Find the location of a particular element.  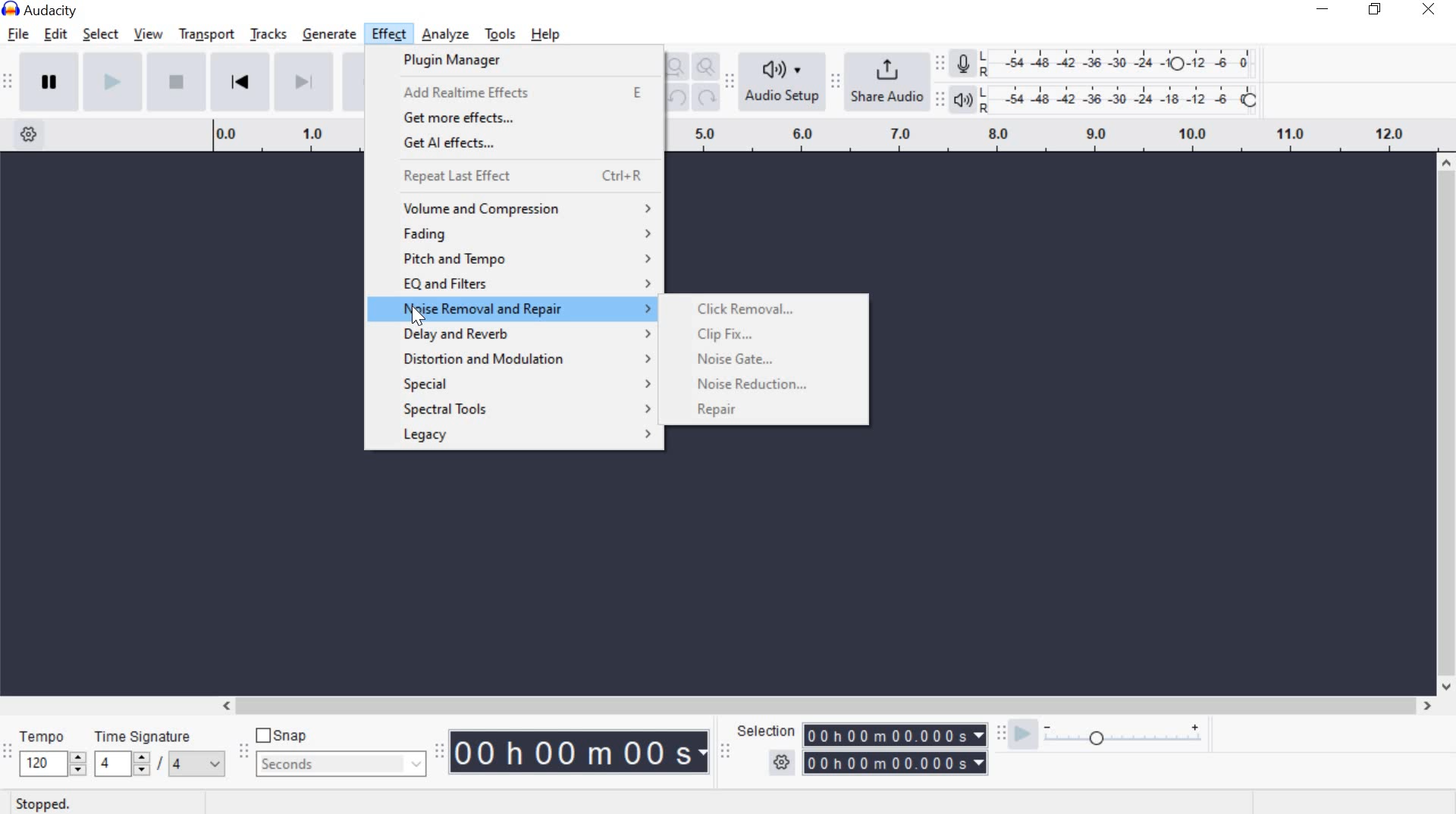

selection option is located at coordinates (781, 765).